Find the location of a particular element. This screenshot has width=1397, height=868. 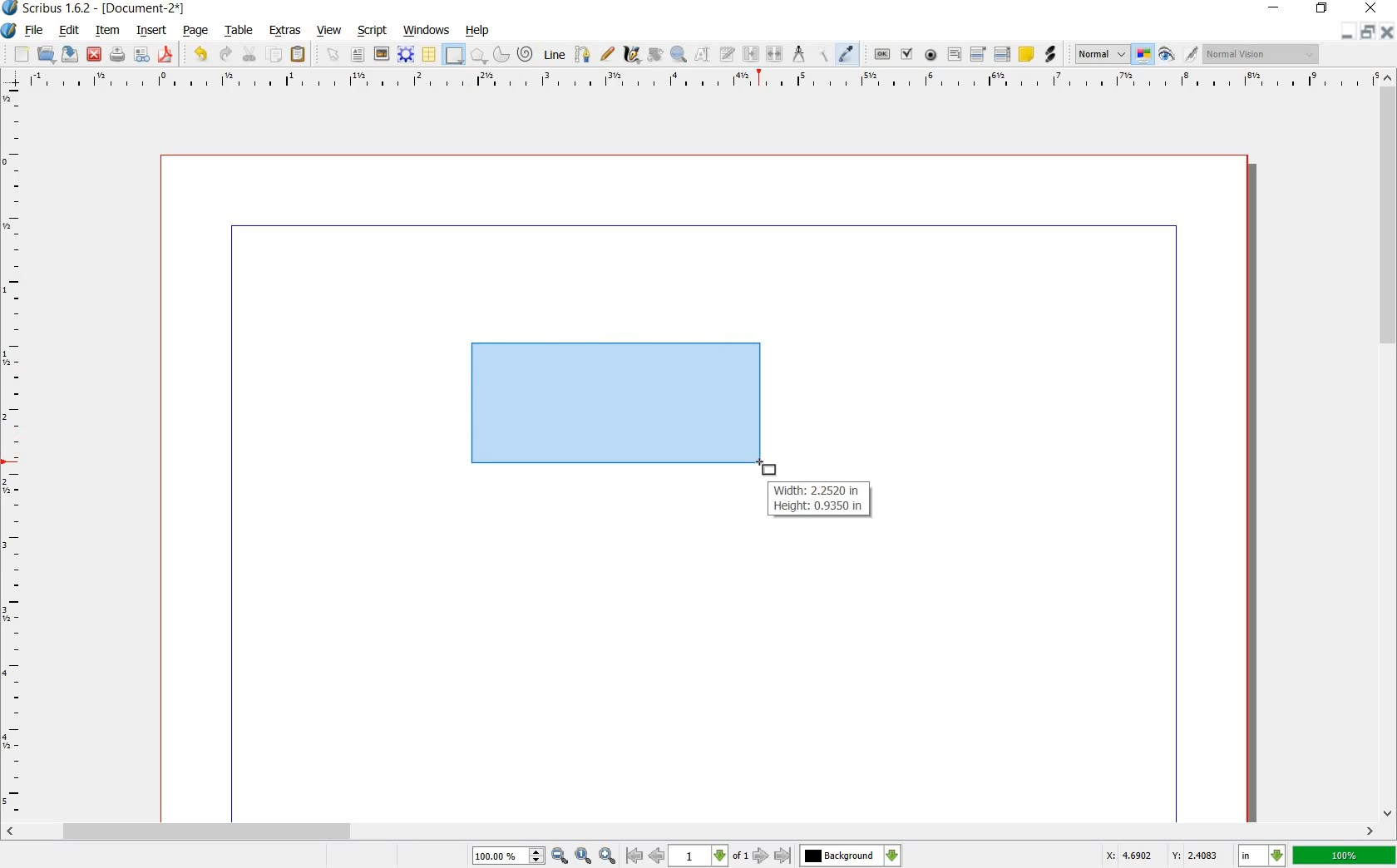

UNLINK TEXT FRAME is located at coordinates (776, 55).